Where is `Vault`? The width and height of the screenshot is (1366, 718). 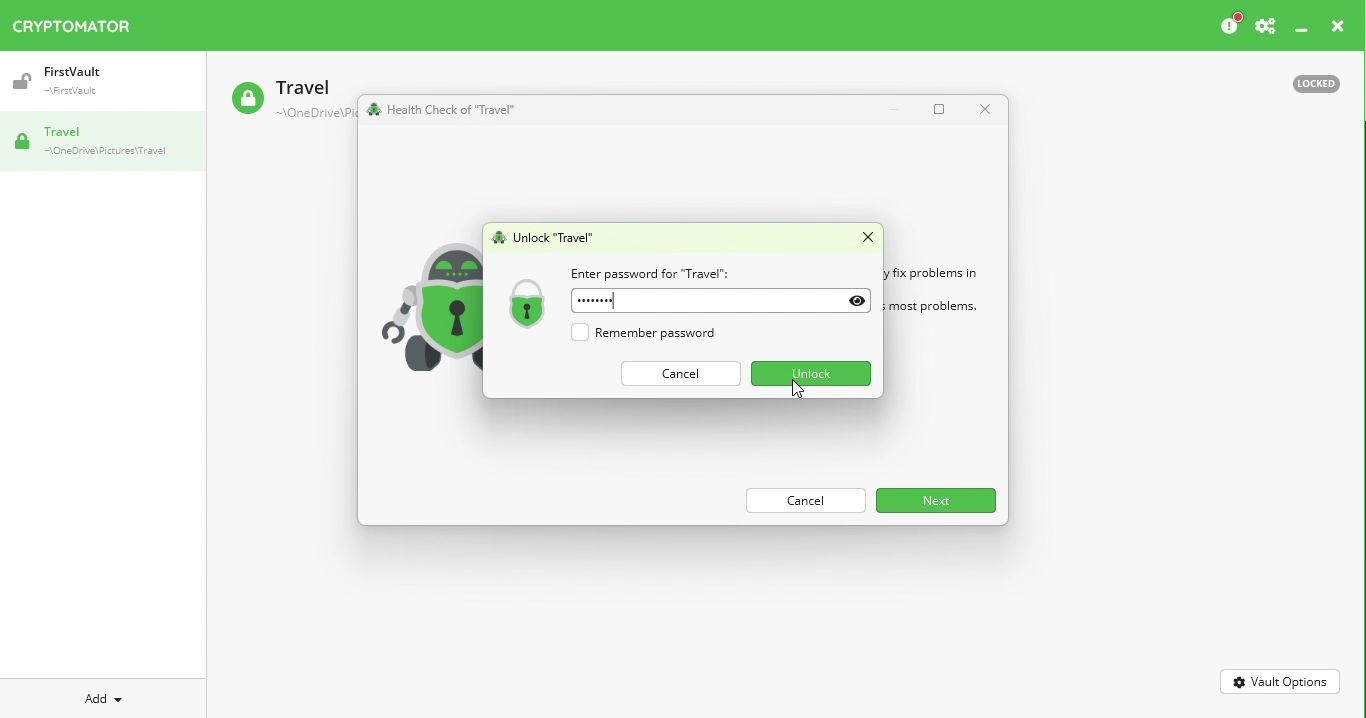
Vault is located at coordinates (94, 140).